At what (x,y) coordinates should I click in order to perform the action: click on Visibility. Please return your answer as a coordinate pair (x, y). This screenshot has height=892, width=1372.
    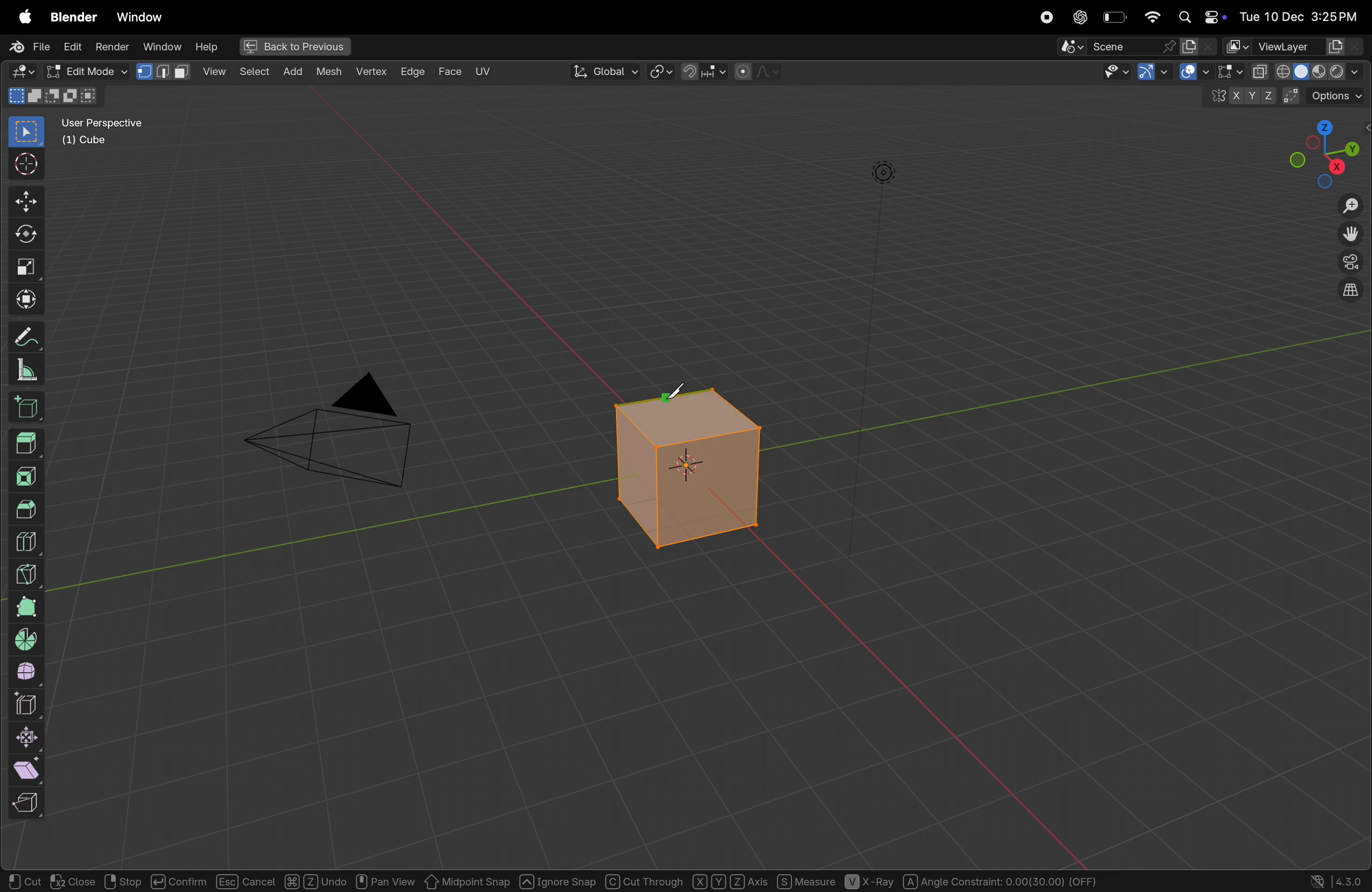
    Looking at the image, I should click on (1128, 73).